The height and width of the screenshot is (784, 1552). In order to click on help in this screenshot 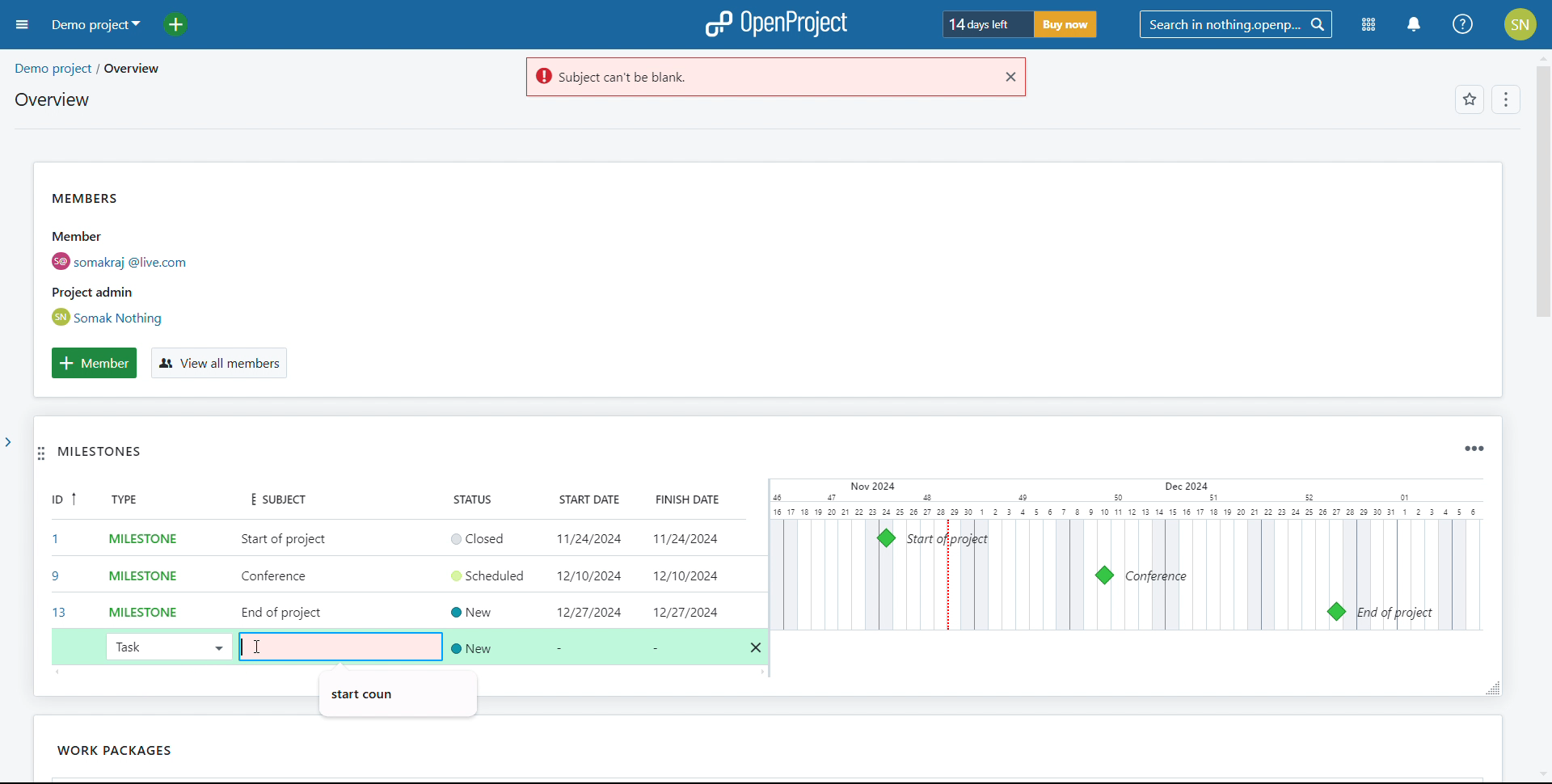, I will do `click(1464, 24)`.